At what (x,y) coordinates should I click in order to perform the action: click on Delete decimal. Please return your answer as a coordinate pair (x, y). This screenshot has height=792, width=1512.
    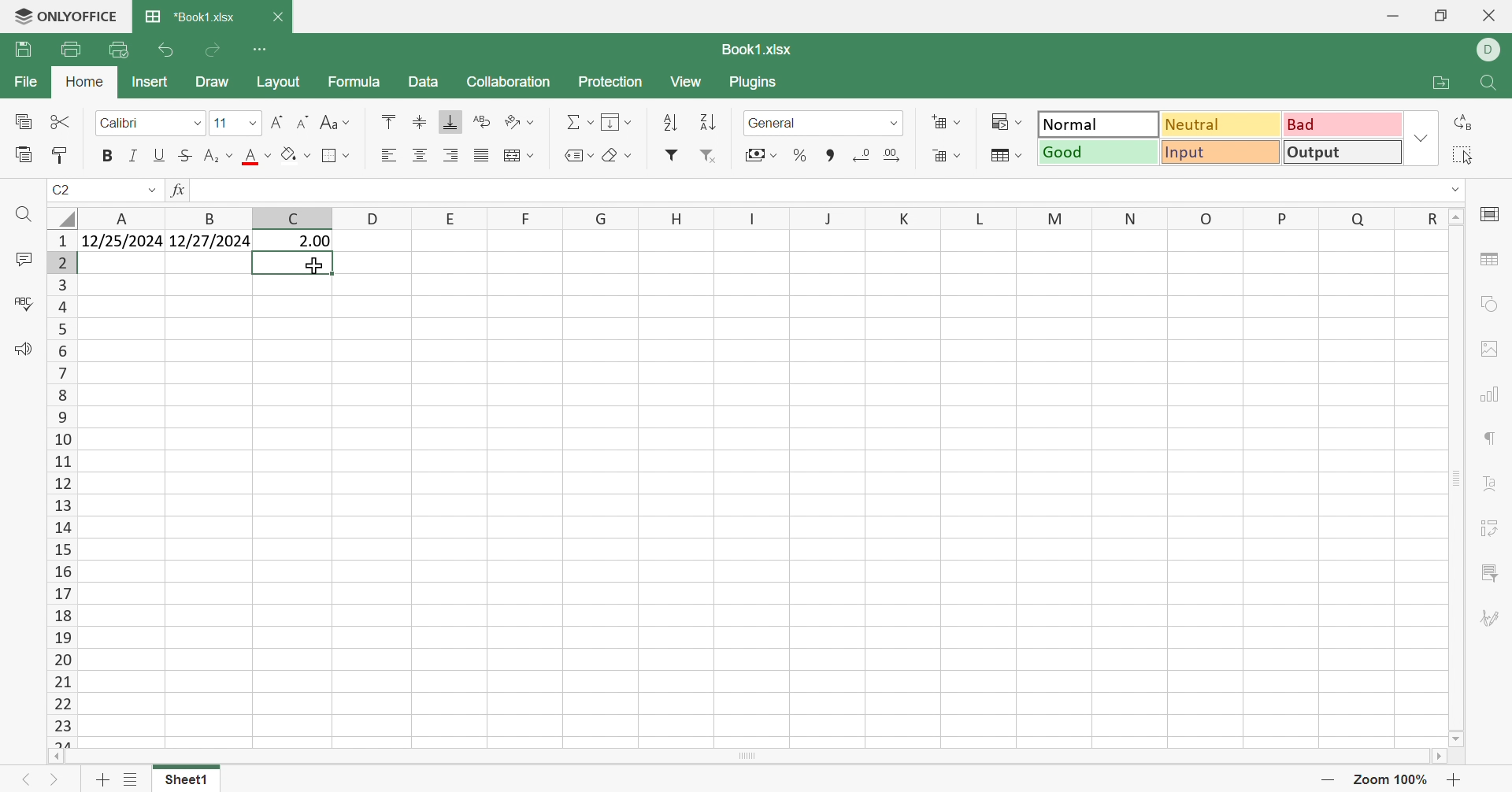
    Looking at the image, I should click on (862, 153).